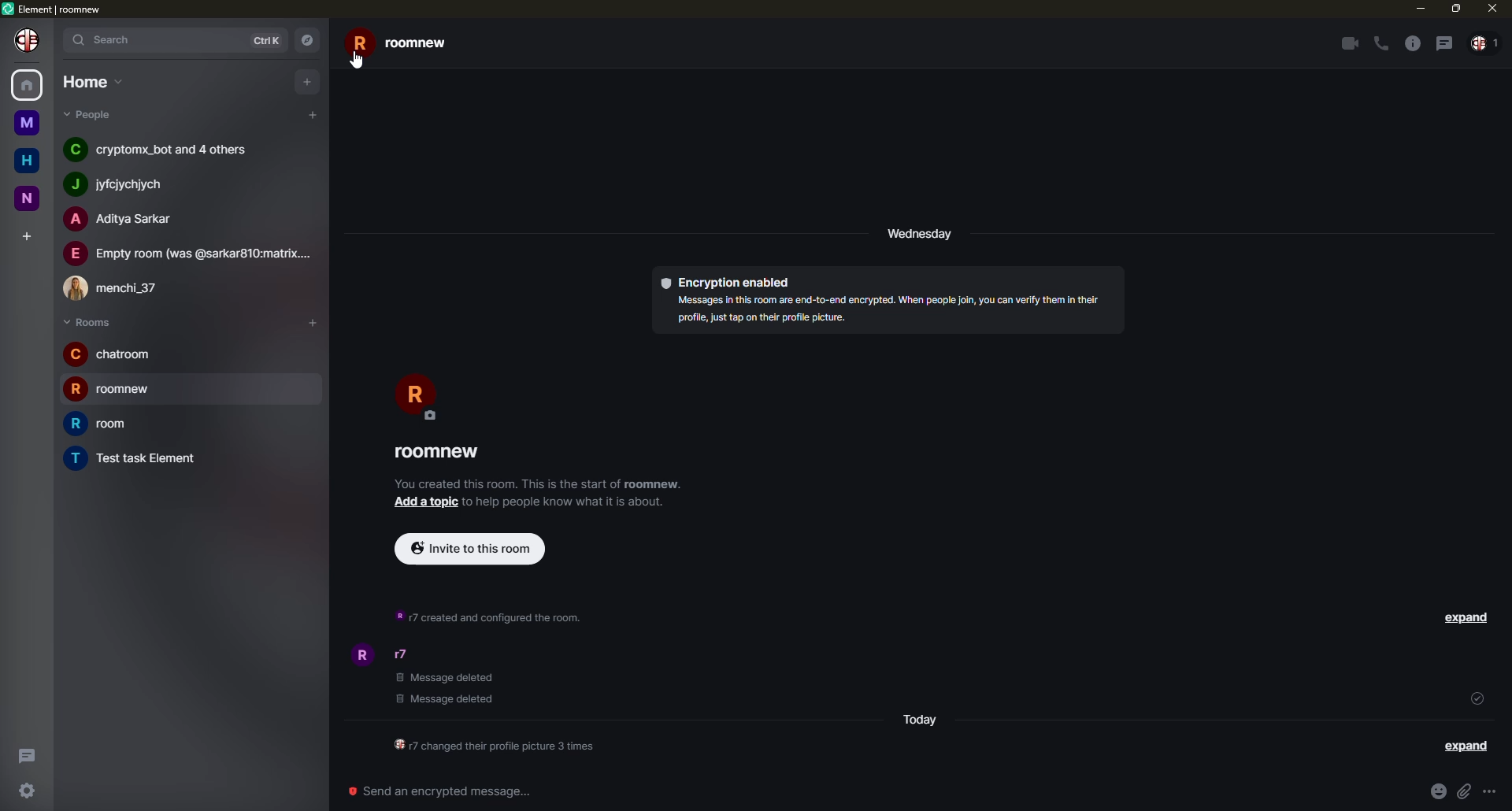 This screenshot has height=811, width=1512. I want to click on voice, so click(1381, 44).